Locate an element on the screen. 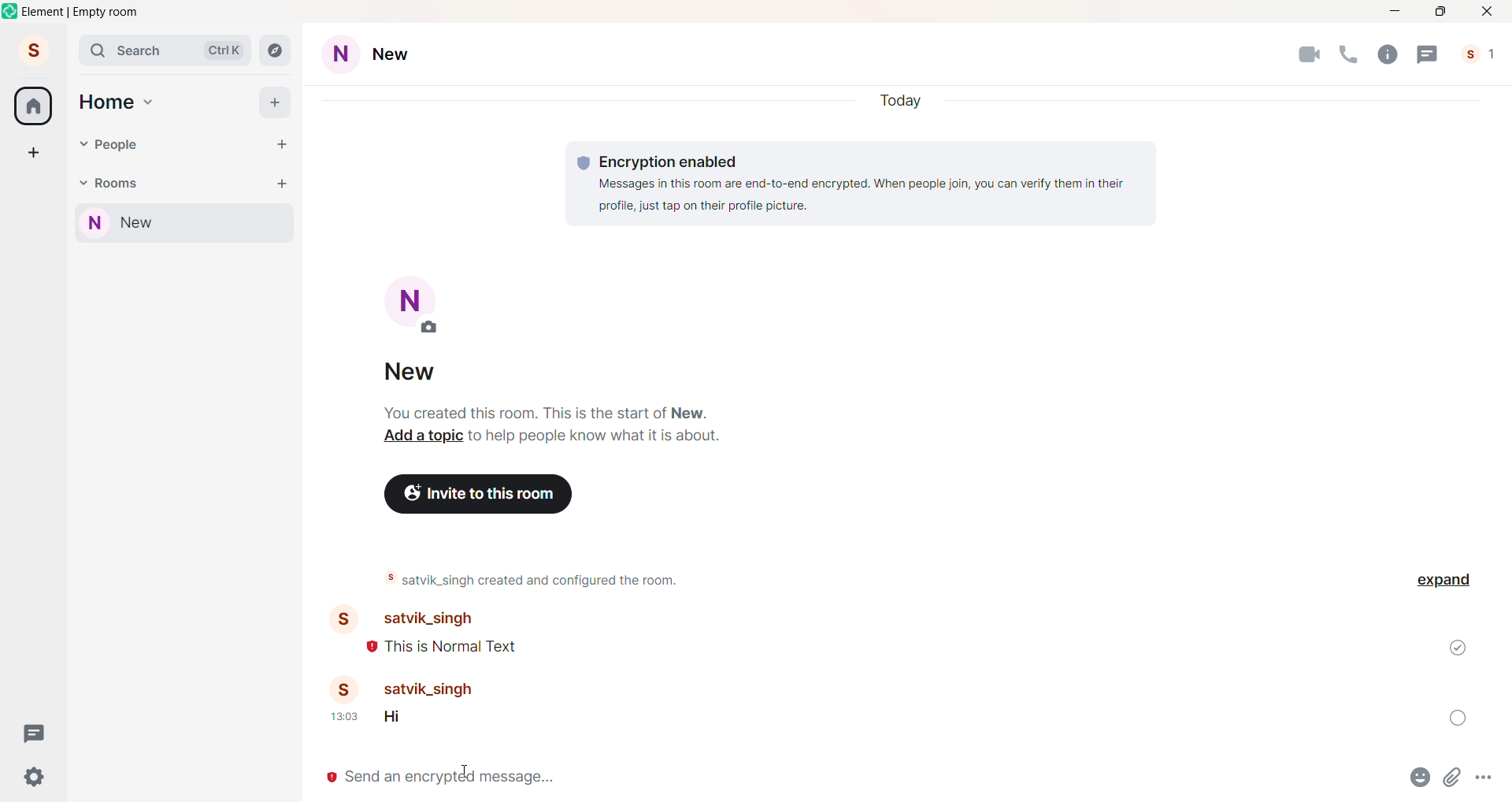 Image resolution: width=1512 pixels, height=802 pixels. People is located at coordinates (120, 145).